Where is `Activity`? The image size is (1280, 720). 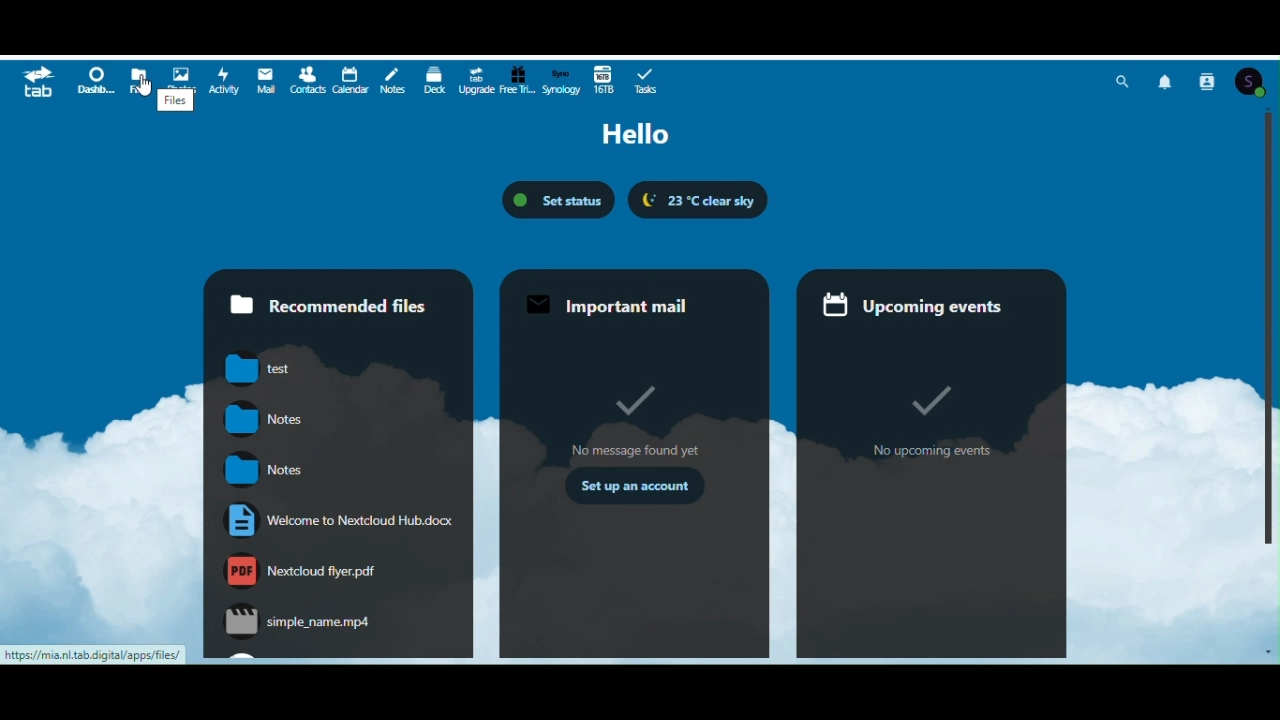
Activity is located at coordinates (225, 78).